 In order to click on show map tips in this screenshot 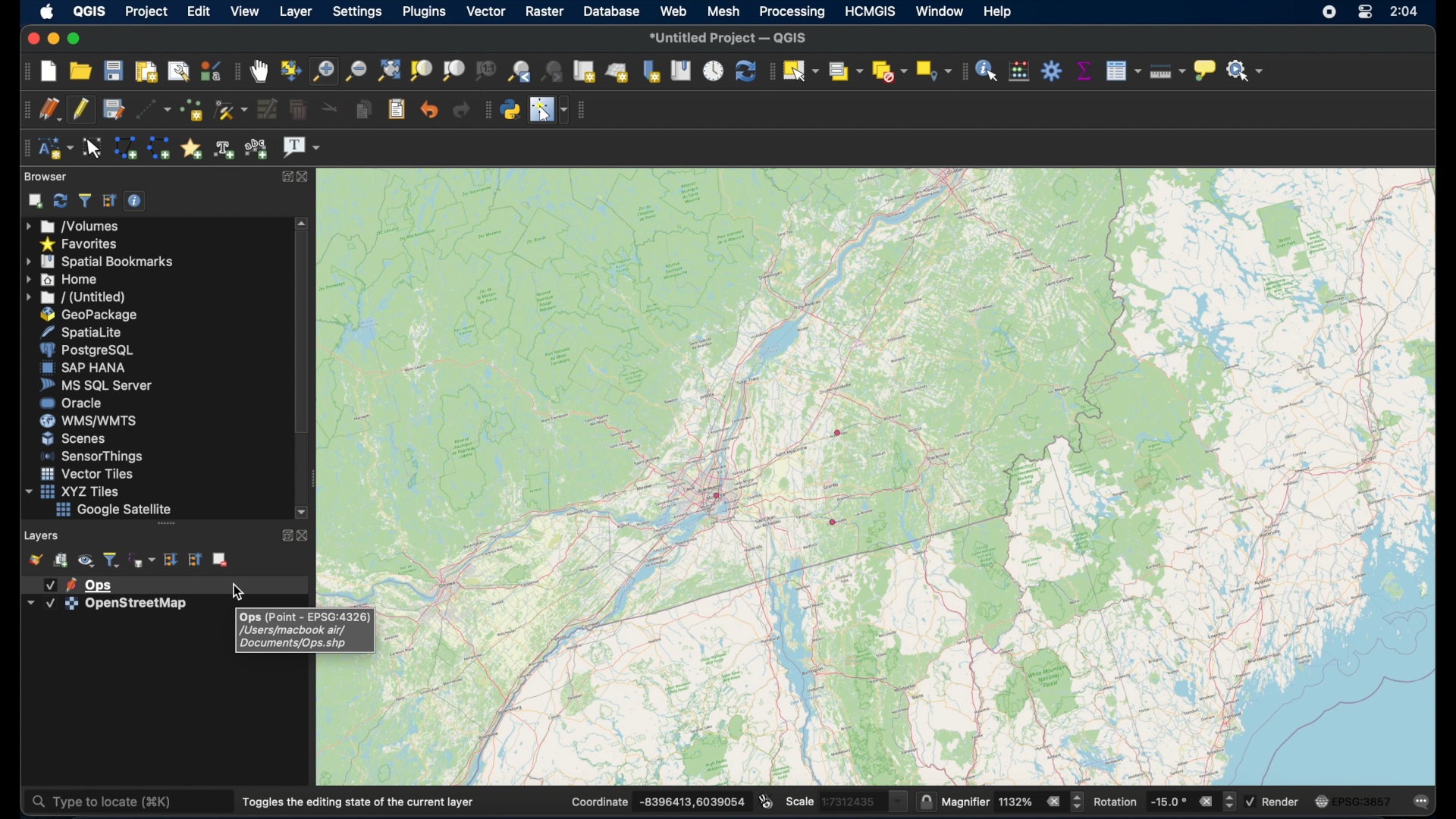, I will do `click(1205, 70)`.